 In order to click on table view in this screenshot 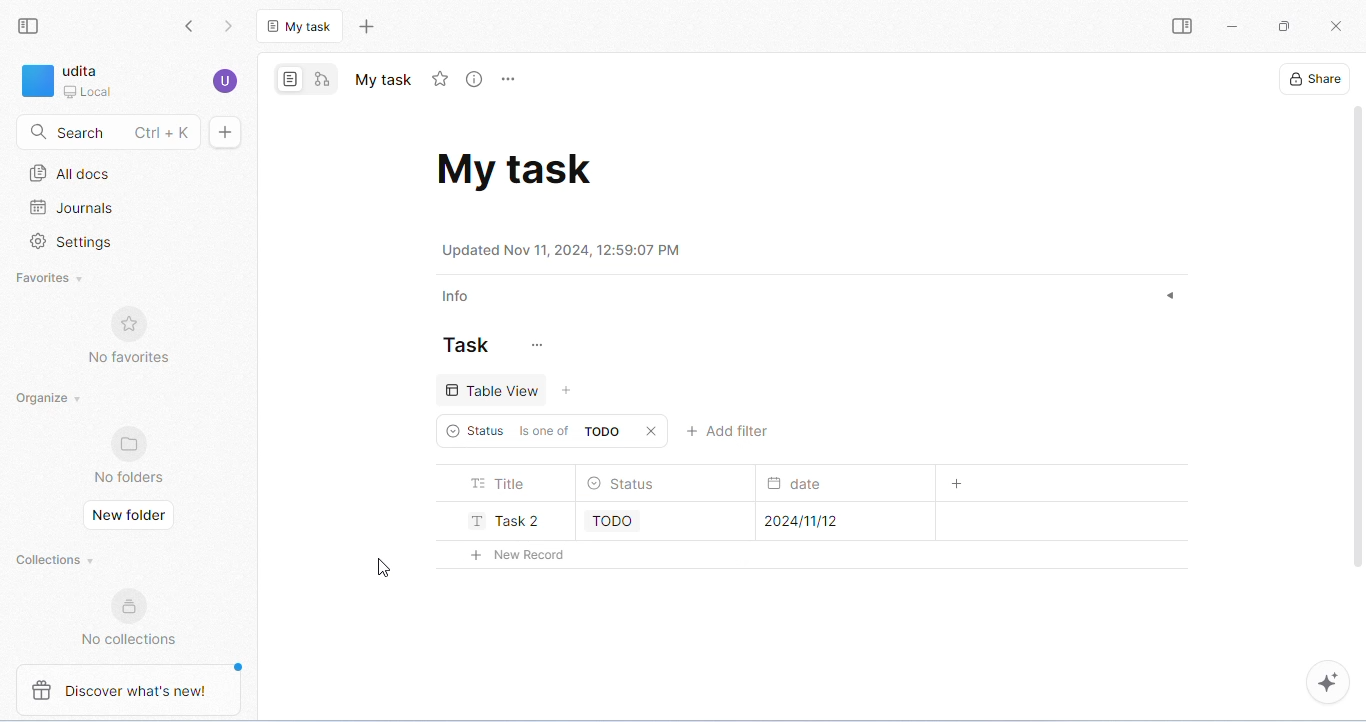, I will do `click(494, 388)`.